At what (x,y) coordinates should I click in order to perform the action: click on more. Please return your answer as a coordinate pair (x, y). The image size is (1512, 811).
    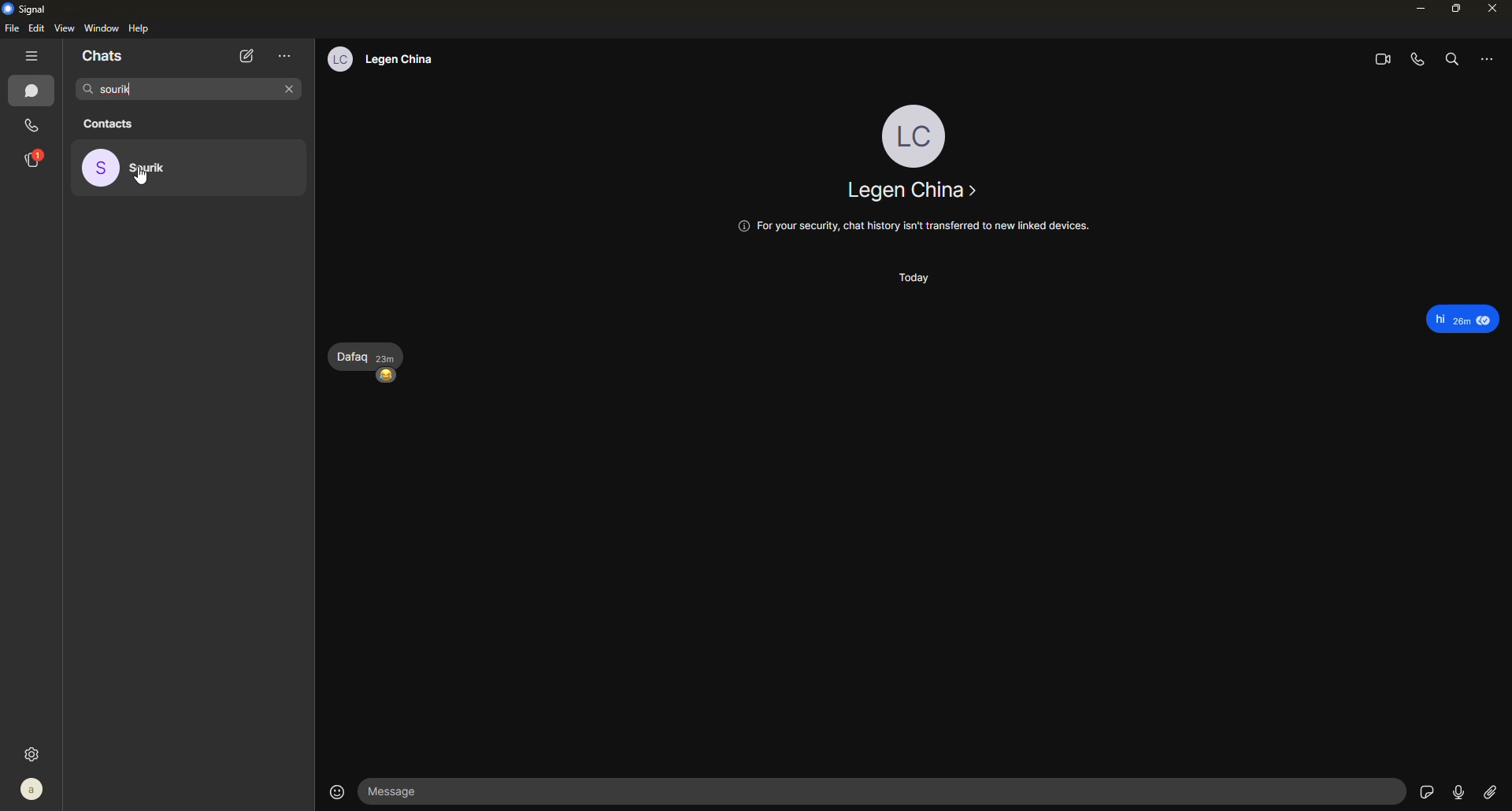
    Looking at the image, I should click on (286, 57).